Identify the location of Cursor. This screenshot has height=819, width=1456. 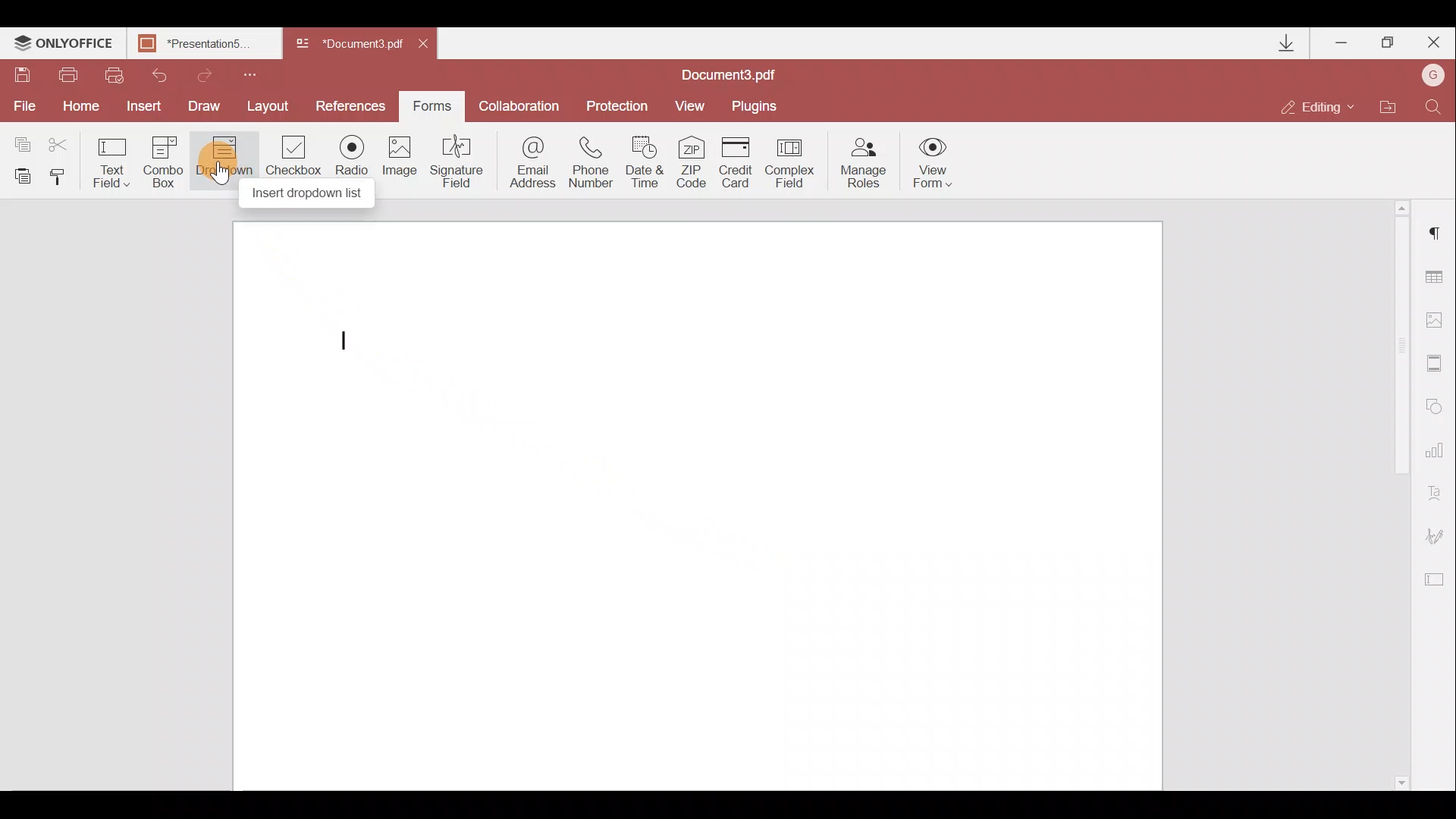
(220, 175).